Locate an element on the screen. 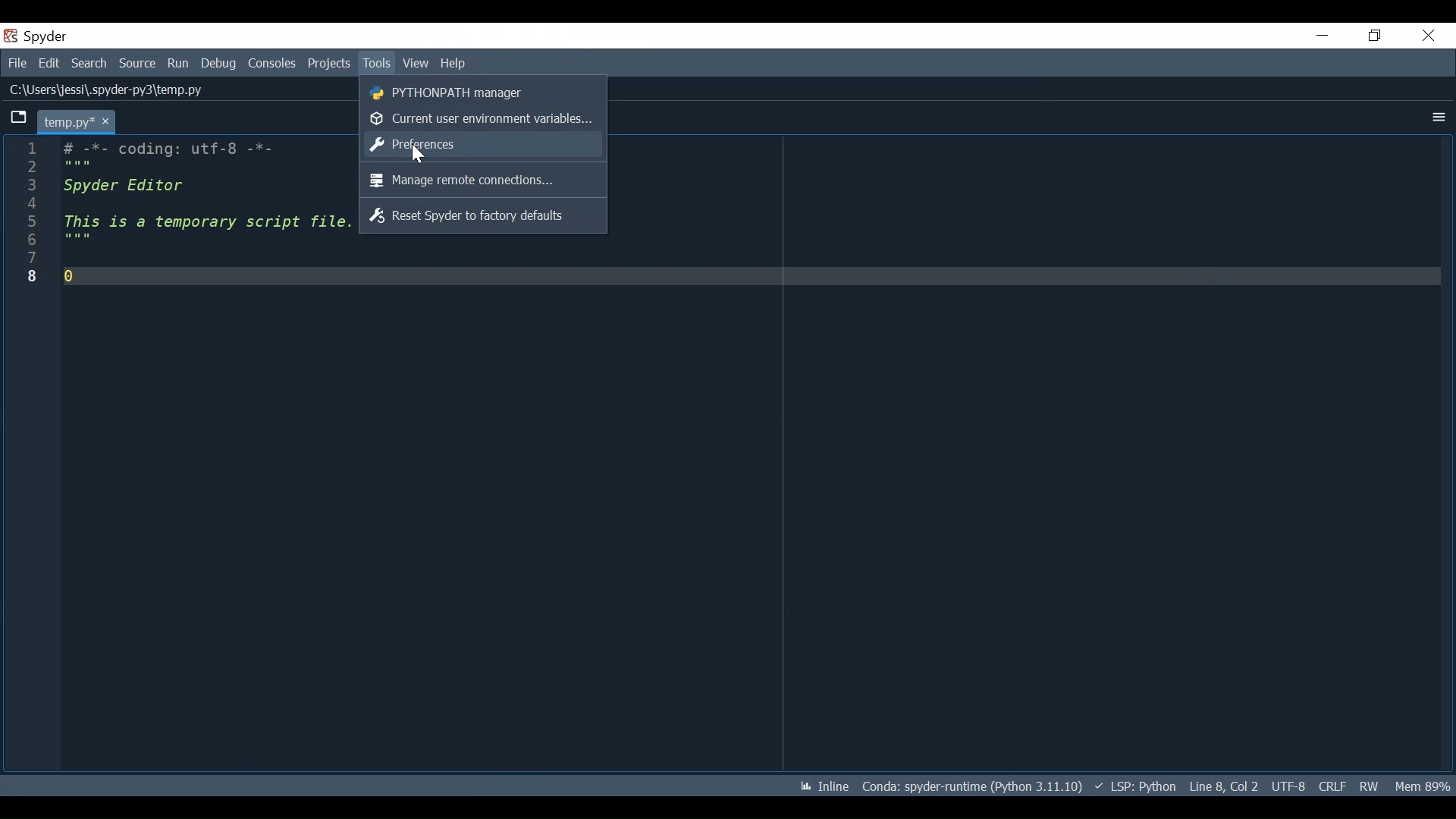 The width and height of the screenshot is (1456, 819). Minimize is located at coordinates (1323, 36).